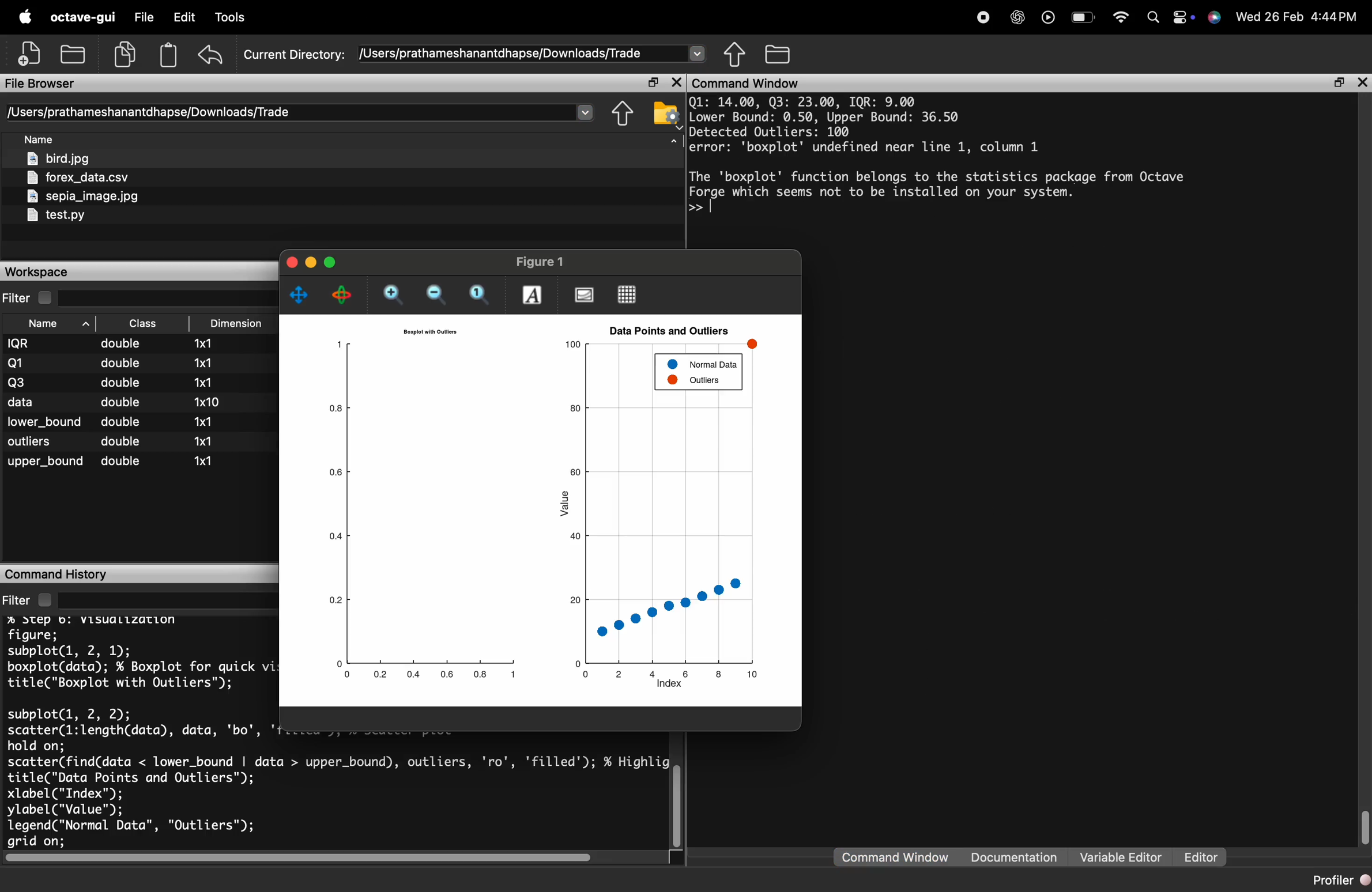  What do you see at coordinates (115, 402) in the screenshot?
I see `data double 1x10` at bounding box center [115, 402].